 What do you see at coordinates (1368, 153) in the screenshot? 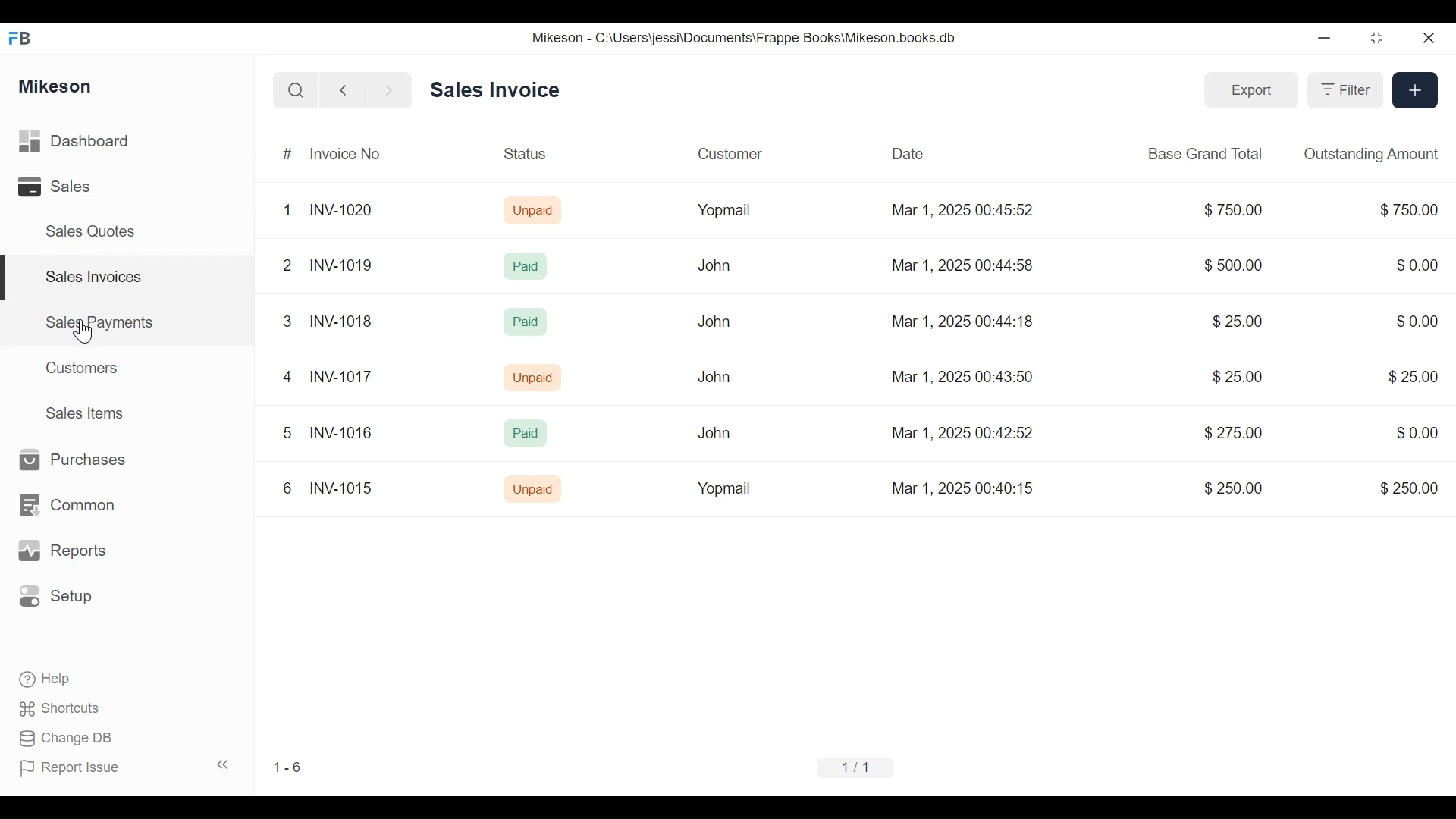
I see `Outstanding Amount` at bounding box center [1368, 153].